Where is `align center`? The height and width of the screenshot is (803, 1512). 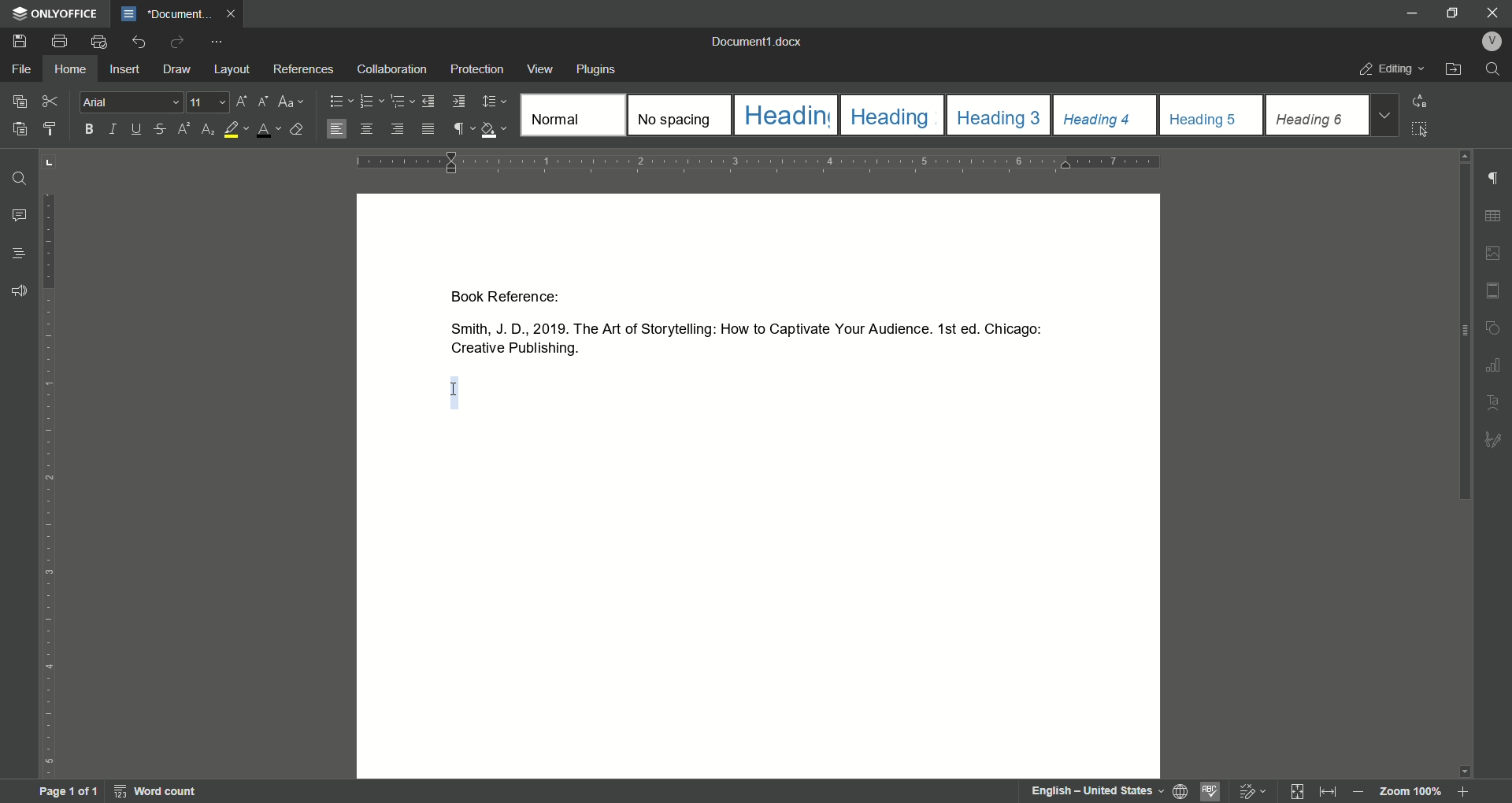 align center is located at coordinates (366, 128).